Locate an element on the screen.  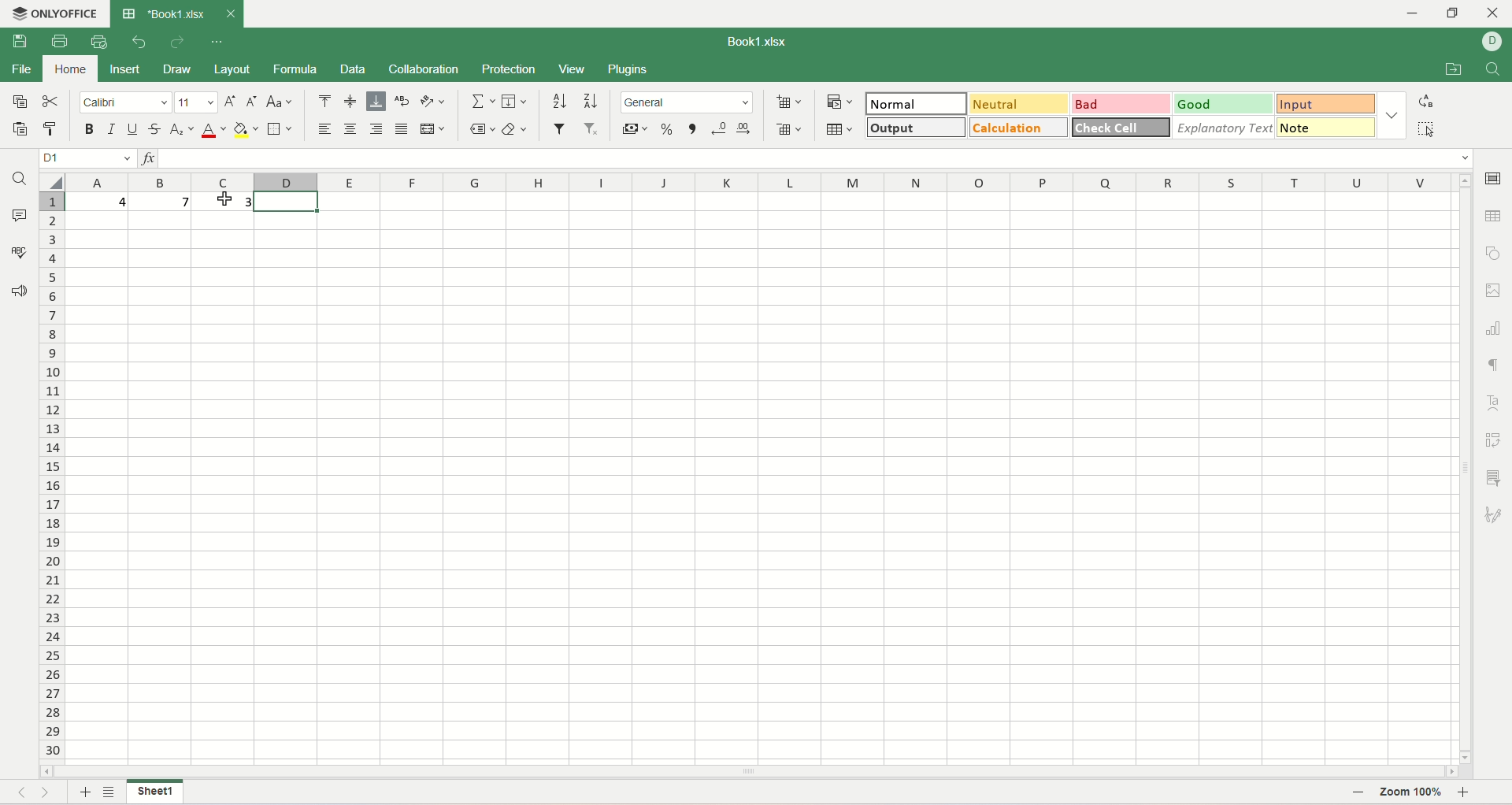
align top is located at coordinates (325, 102).